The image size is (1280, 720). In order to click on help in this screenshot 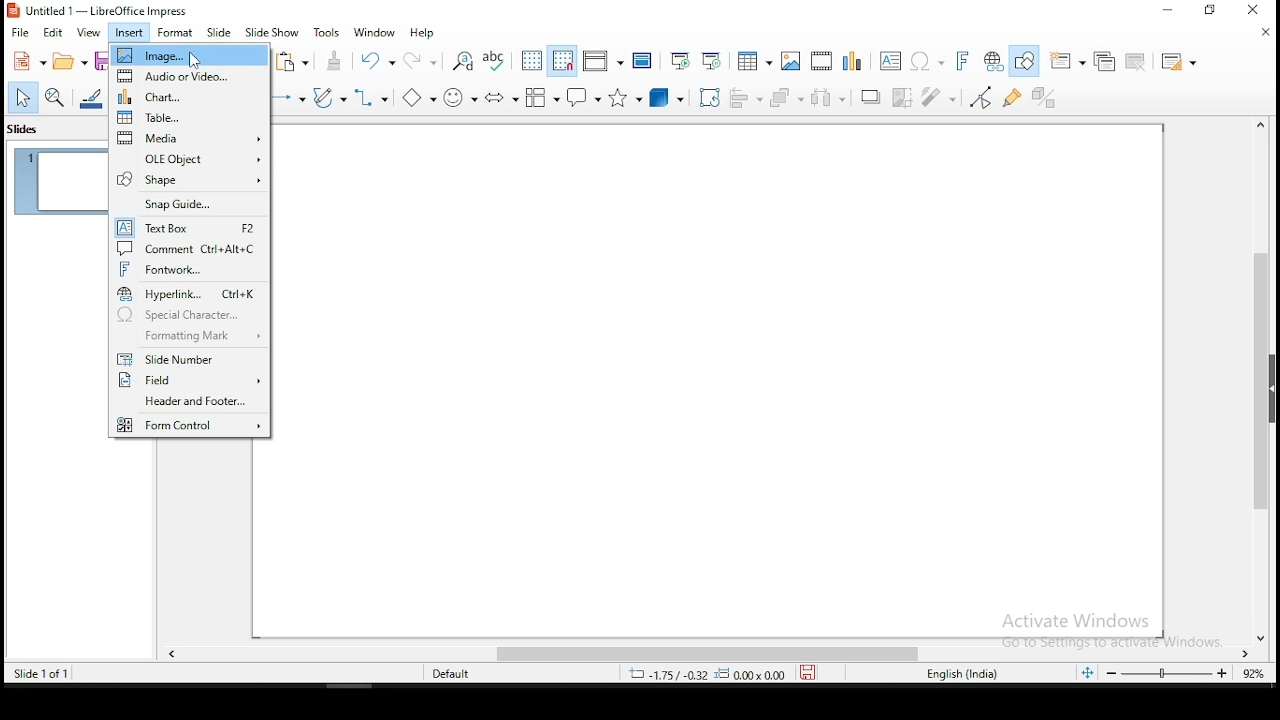, I will do `click(426, 31)`.